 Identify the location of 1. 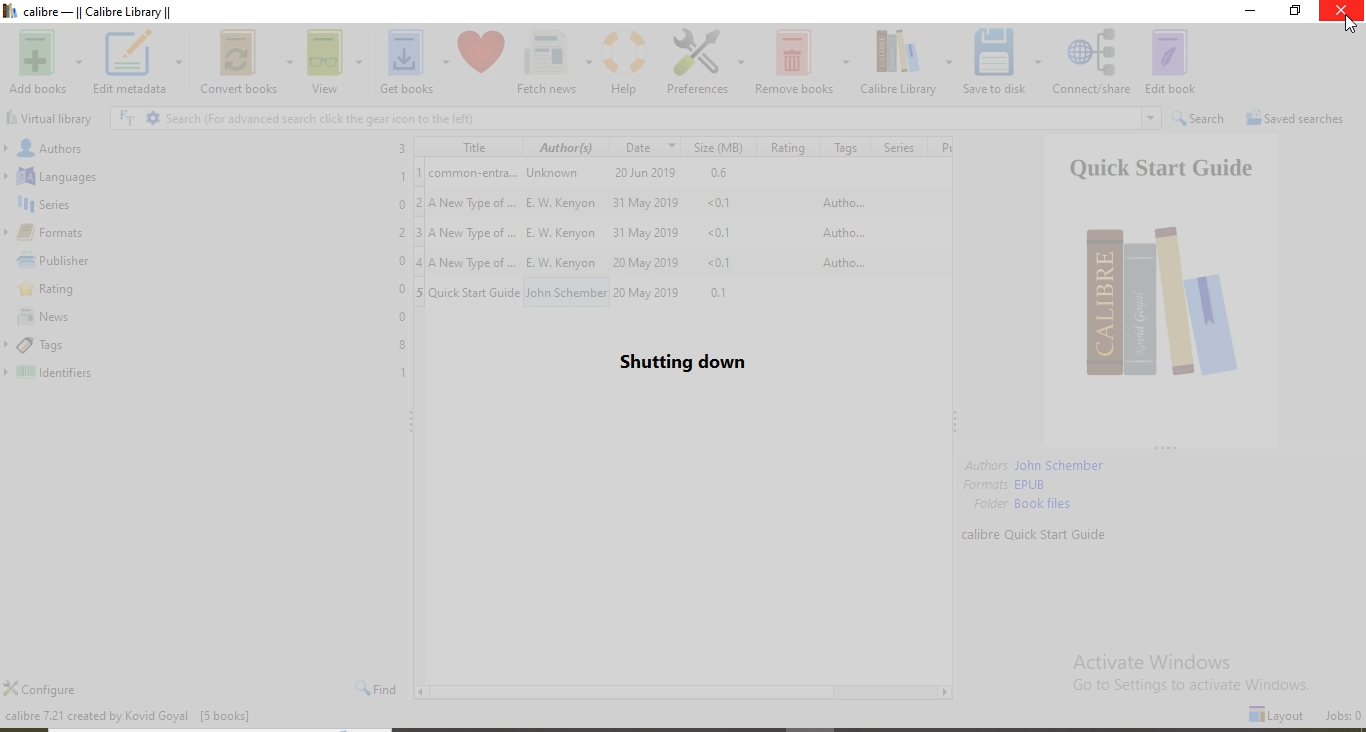
(419, 172).